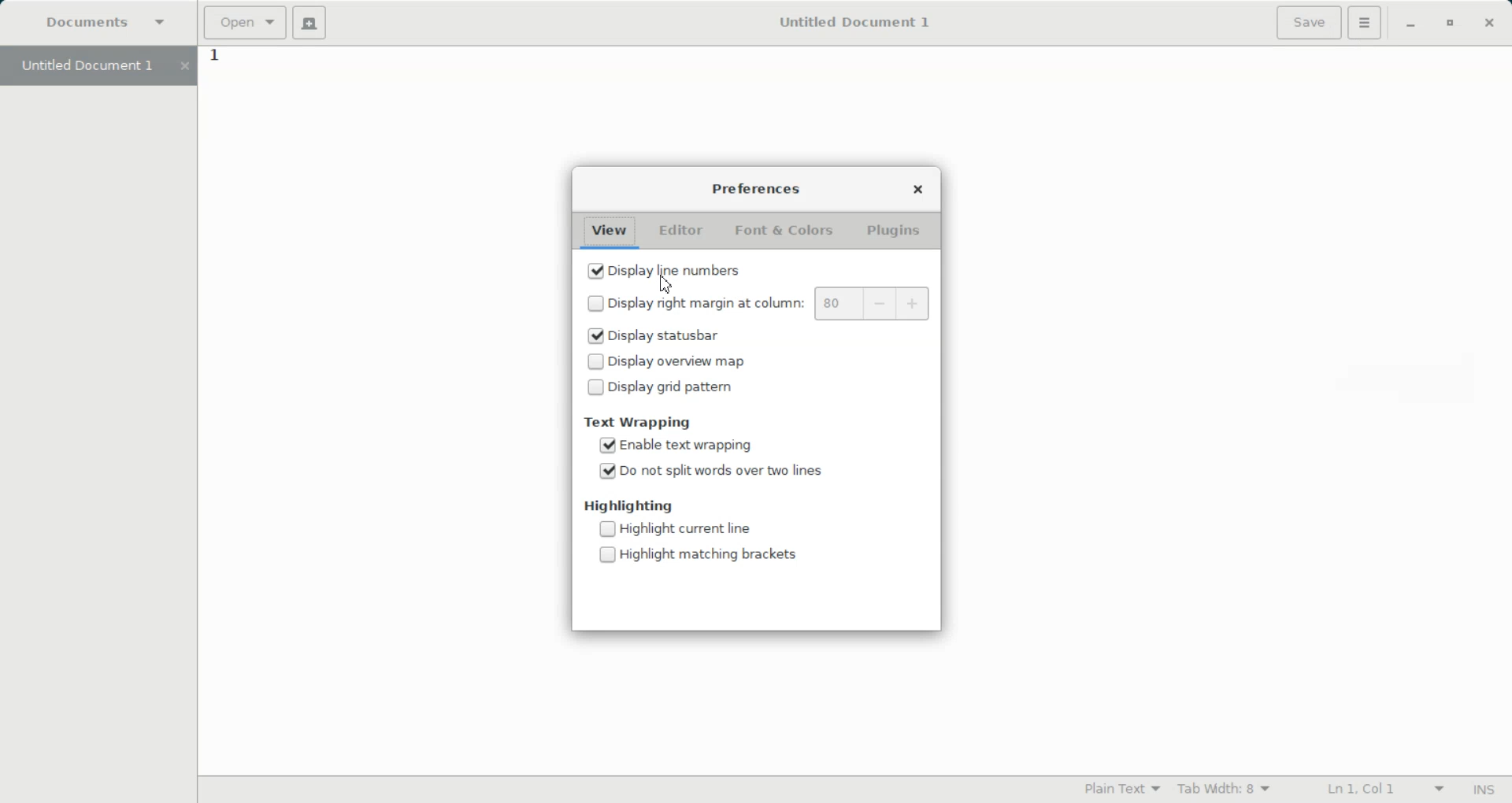 This screenshot has width=1512, height=803. I want to click on (un)check Disable Display grid pattern, so click(664, 387).